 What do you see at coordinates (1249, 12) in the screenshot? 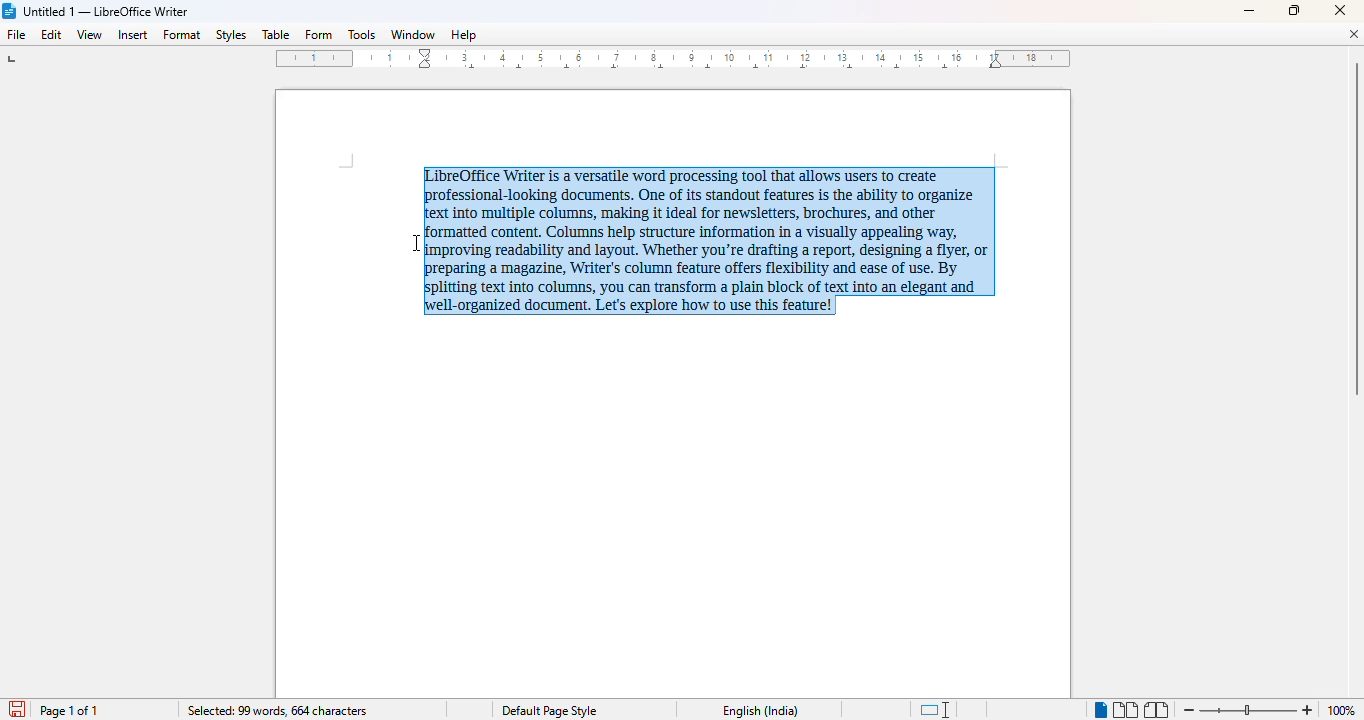
I see `minimize` at bounding box center [1249, 12].